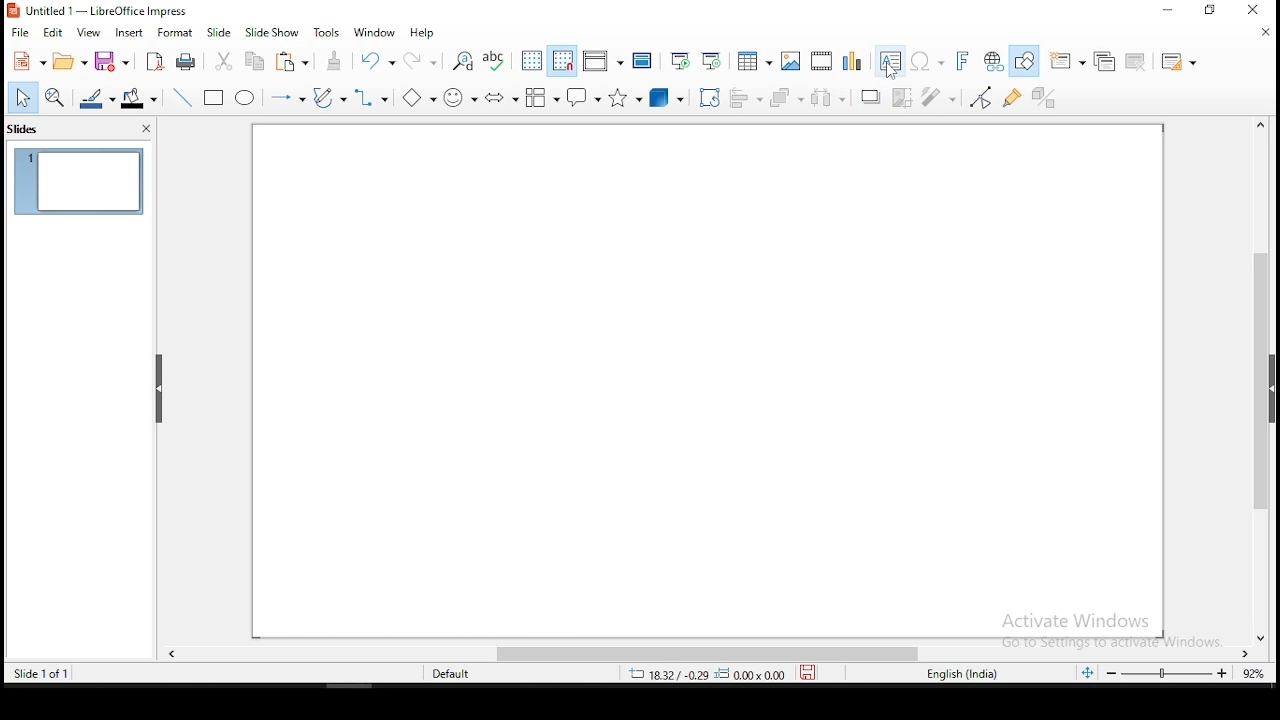  What do you see at coordinates (982, 97) in the screenshot?
I see `toggle point edit mode` at bounding box center [982, 97].